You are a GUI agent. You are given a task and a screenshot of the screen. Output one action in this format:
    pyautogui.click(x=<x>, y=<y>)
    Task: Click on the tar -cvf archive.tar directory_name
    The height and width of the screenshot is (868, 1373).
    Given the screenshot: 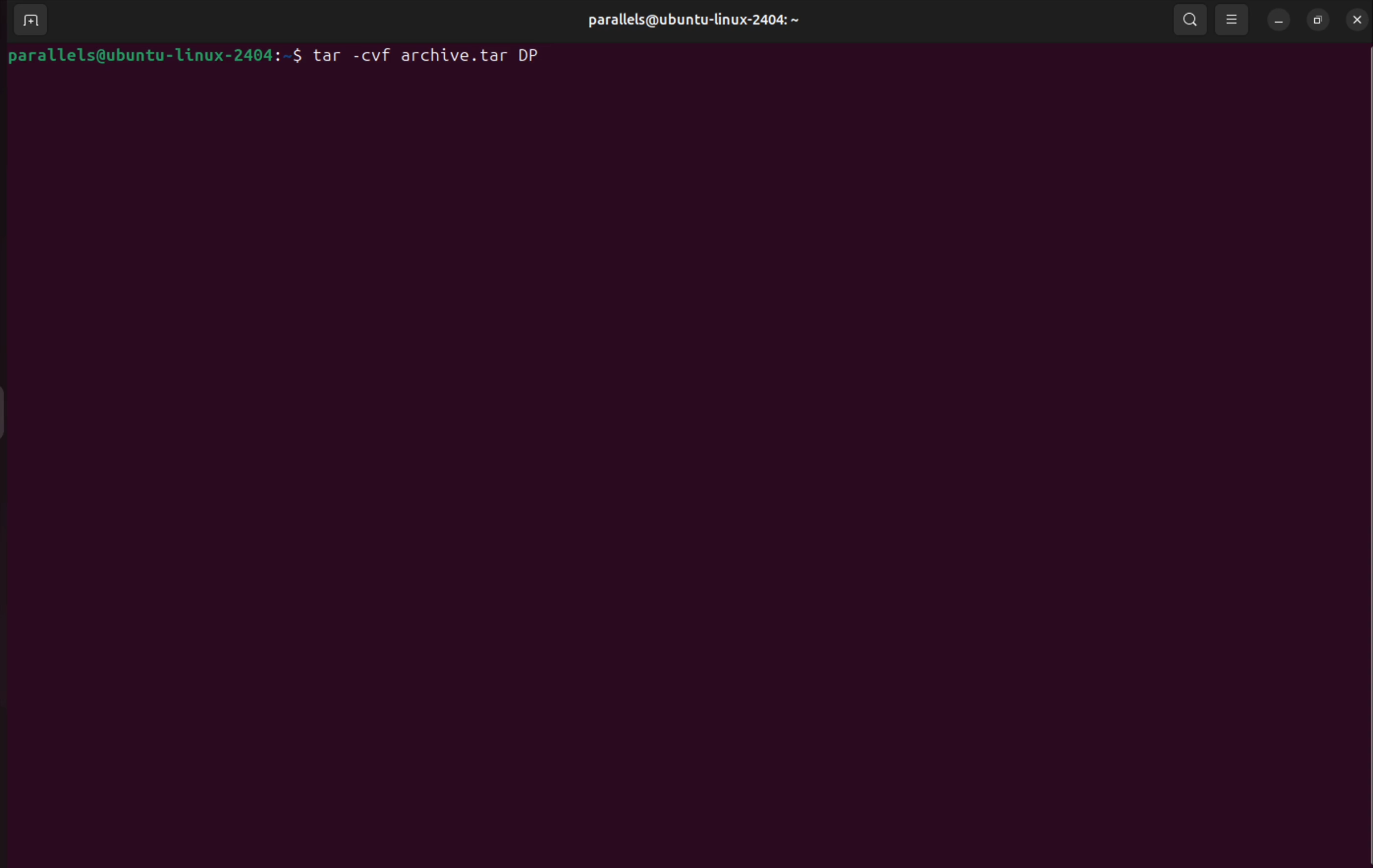 What is the action you would take?
    pyautogui.click(x=431, y=59)
    